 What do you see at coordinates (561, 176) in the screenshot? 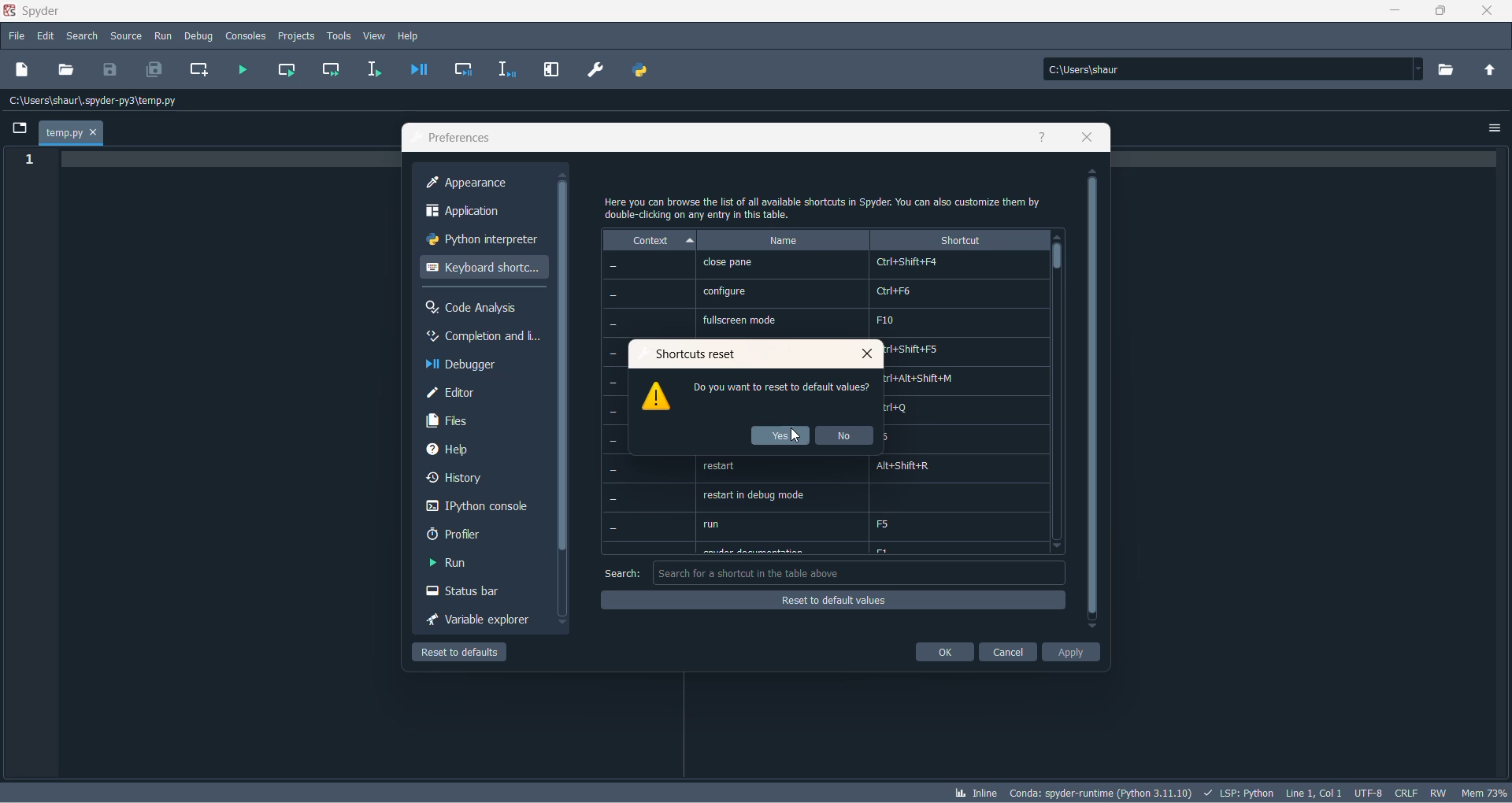
I see `move up` at bounding box center [561, 176].